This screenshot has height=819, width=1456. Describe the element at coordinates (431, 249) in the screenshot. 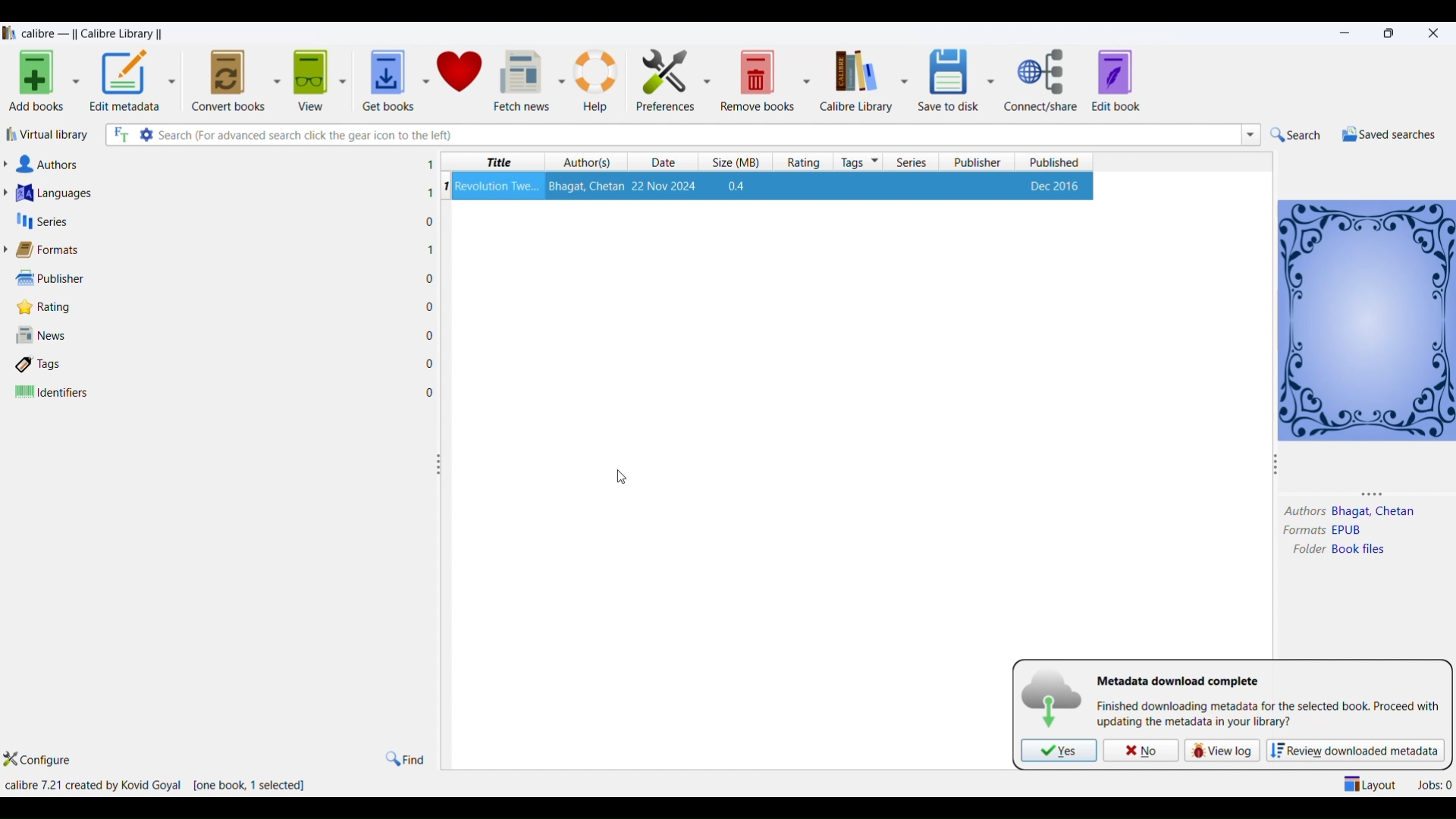

I see `1` at that location.